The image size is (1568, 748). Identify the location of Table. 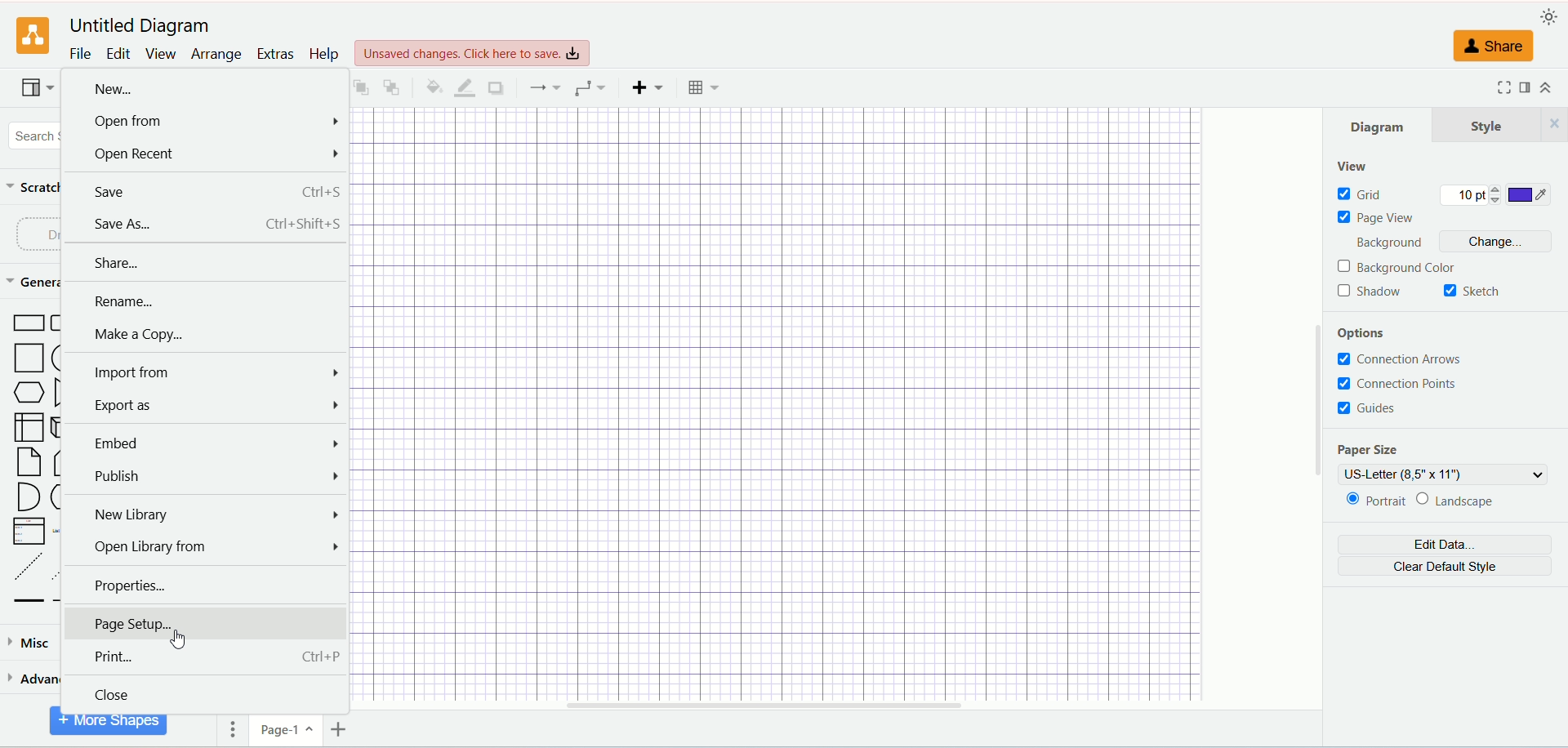
(704, 87).